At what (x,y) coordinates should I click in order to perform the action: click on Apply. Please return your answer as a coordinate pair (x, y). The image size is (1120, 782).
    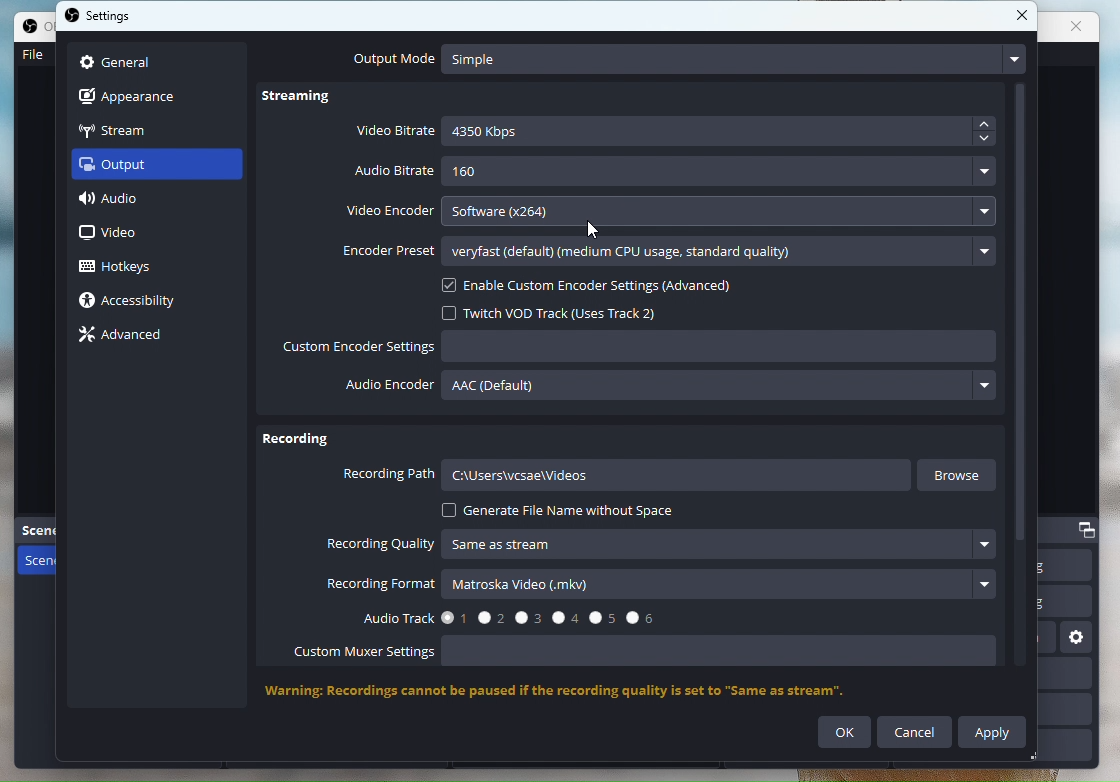
    Looking at the image, I should click on (994, 731).